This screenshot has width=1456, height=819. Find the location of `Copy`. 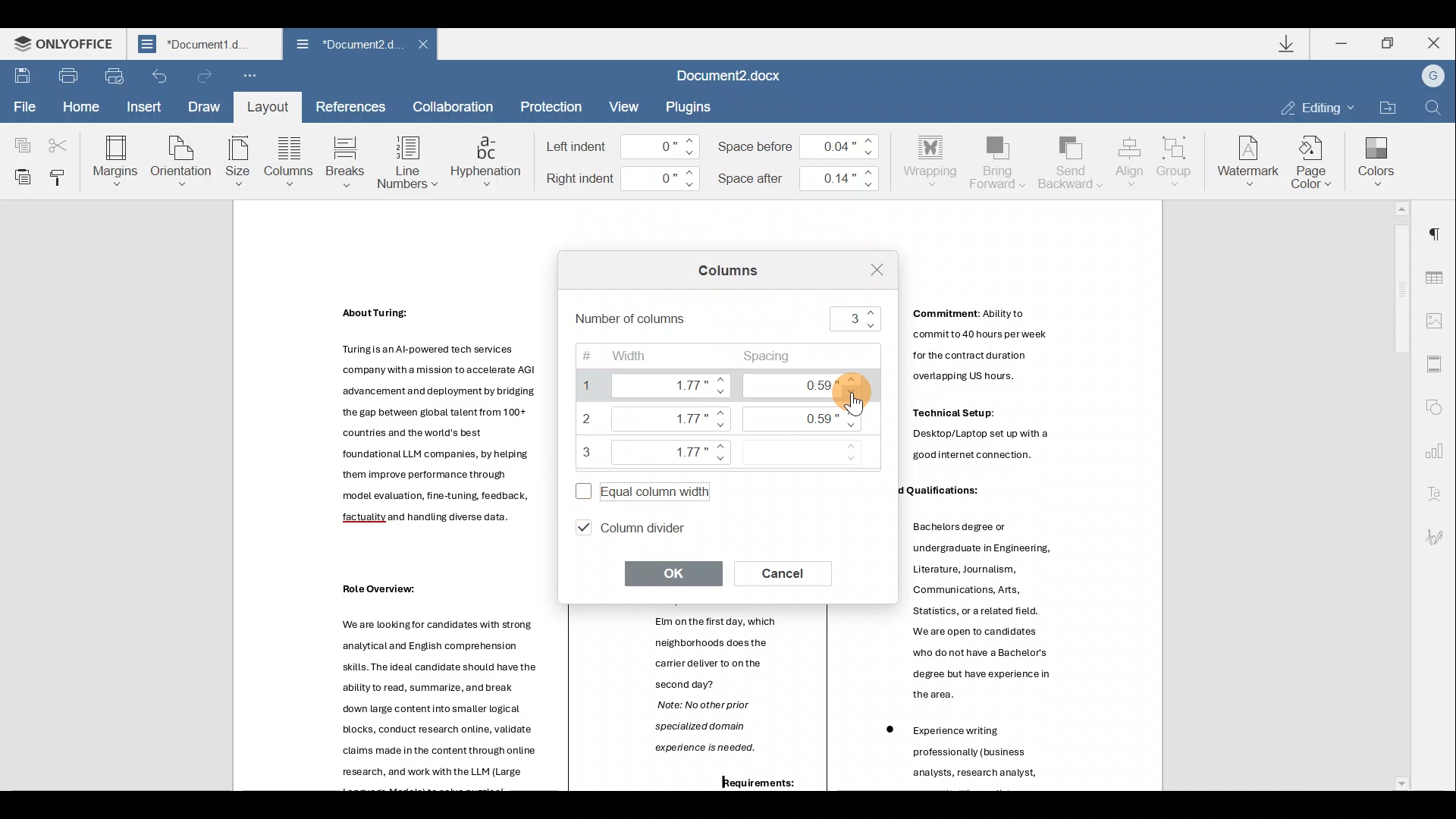

Copy is located at coordinates (19, 138).